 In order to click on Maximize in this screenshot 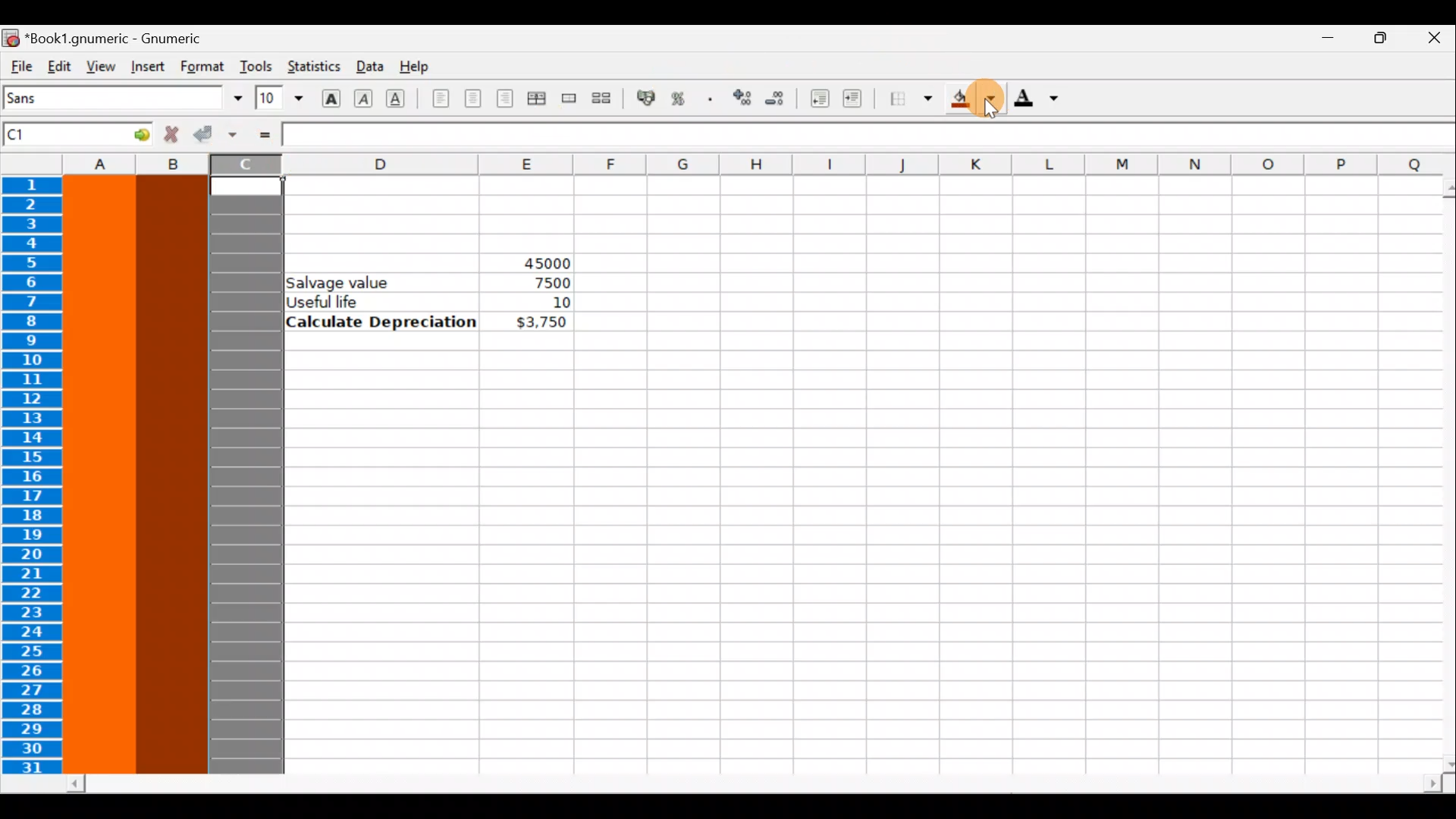, I will do `click(1377, 42)`.